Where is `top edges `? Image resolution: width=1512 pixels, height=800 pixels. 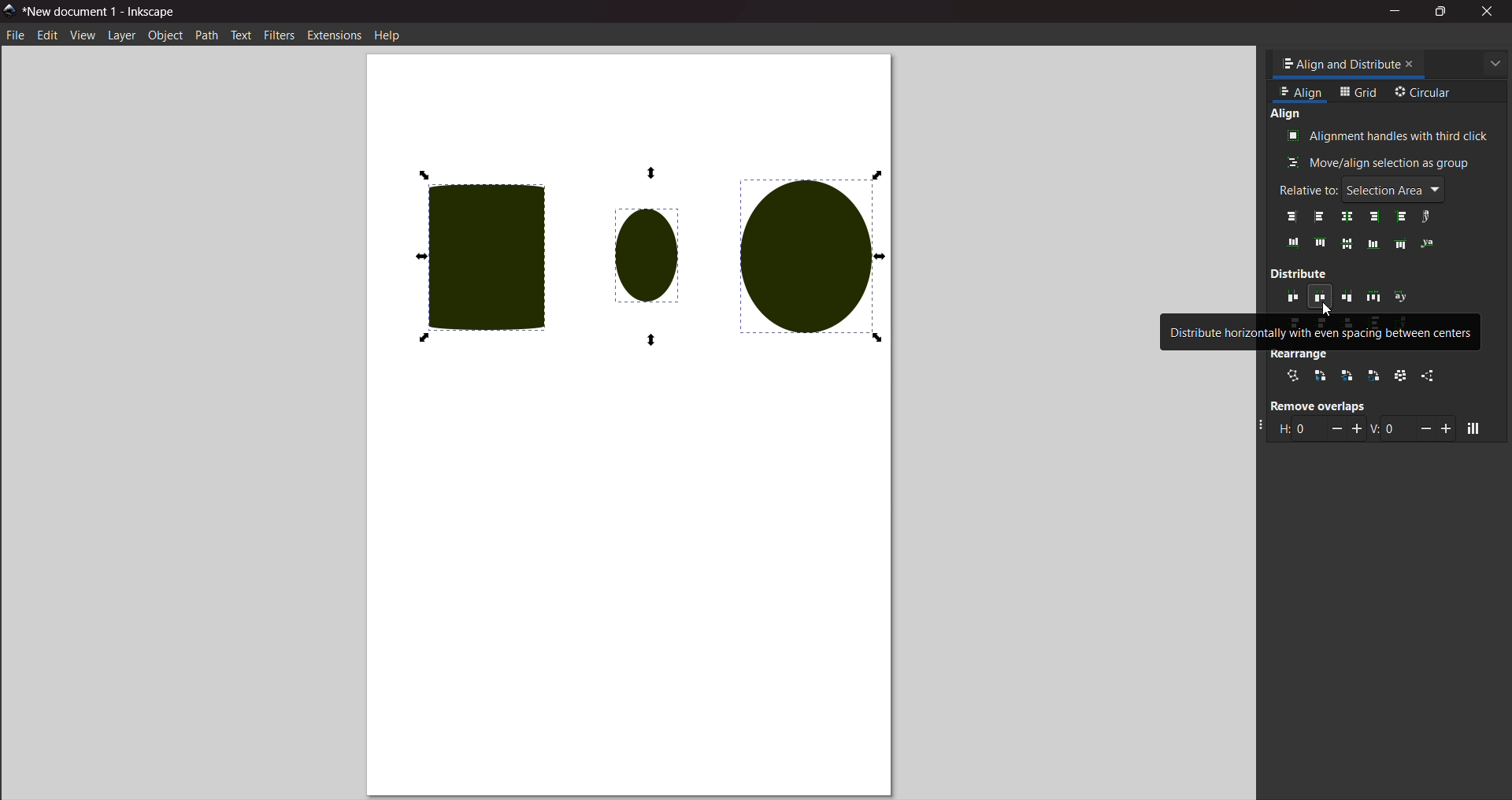 top edges  is located at coordinates (1319, 244).